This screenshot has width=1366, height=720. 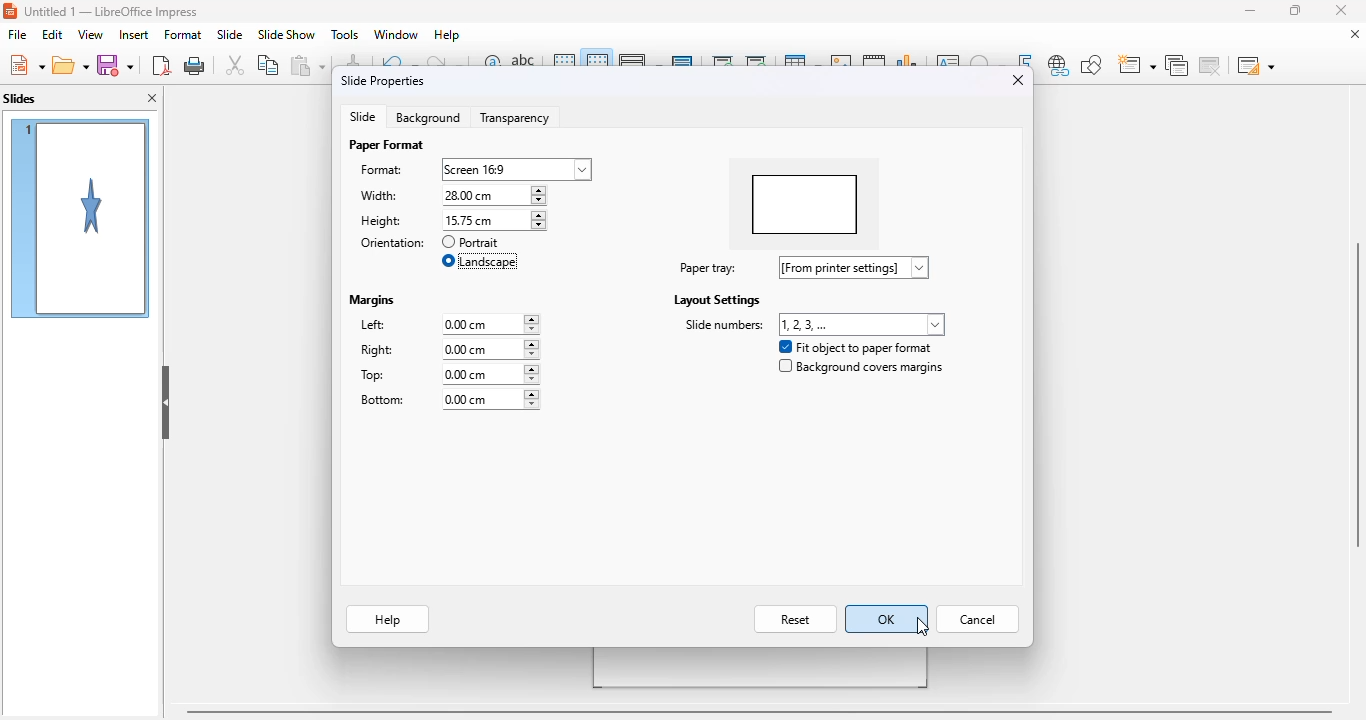 What do you see at coordinates (134, 35) in the screenshot?
I see `insert` at bounding box center [134, 35].